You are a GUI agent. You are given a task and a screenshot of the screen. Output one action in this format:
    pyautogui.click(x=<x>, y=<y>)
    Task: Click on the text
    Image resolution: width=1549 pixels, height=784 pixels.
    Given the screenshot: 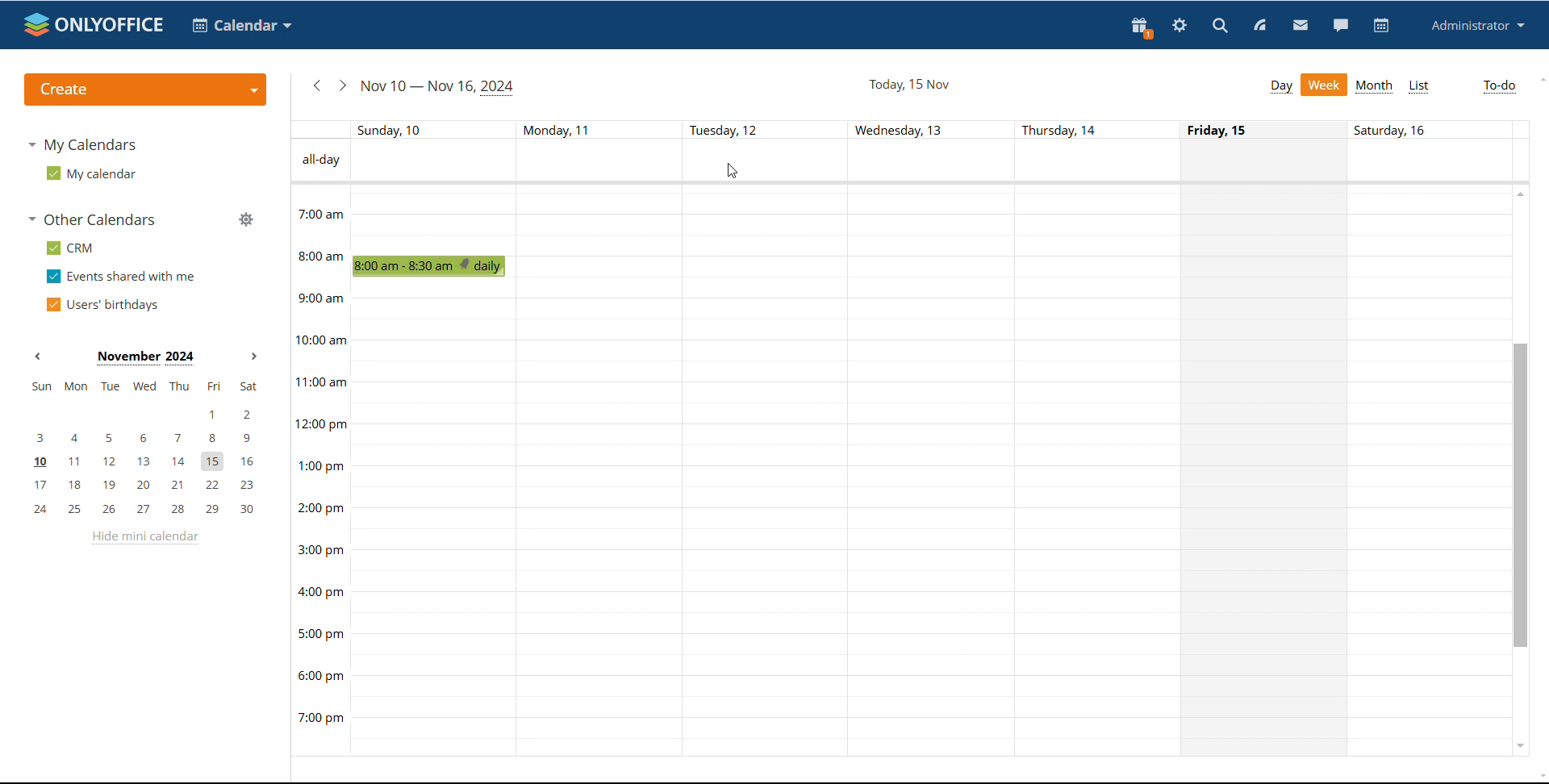 What is the action you would take?
    pyautogui.click(x=896, y=129)
    